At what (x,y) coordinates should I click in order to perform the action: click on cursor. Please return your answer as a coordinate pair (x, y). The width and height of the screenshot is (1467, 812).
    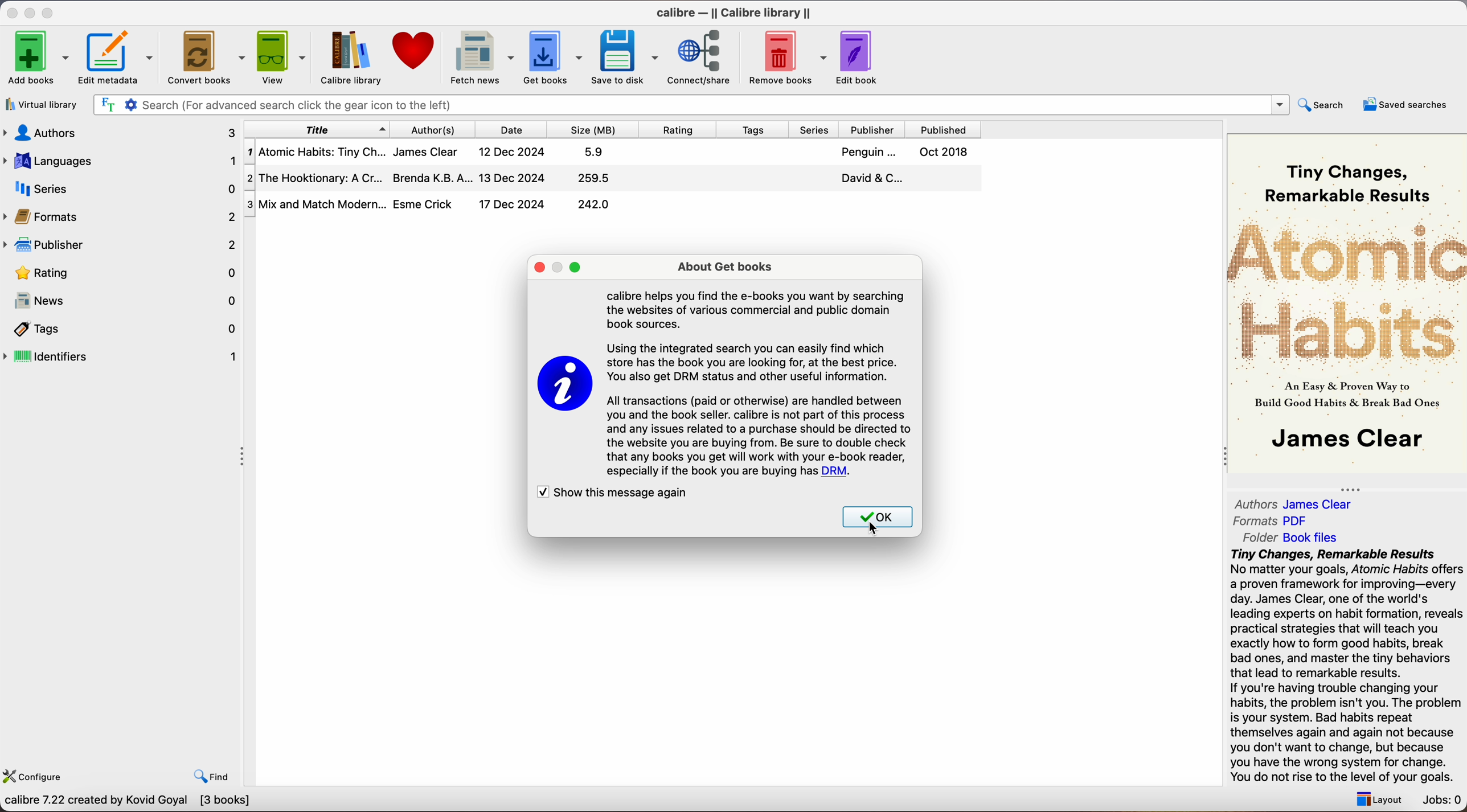
    Looking at the image, I should click on (875, 527).